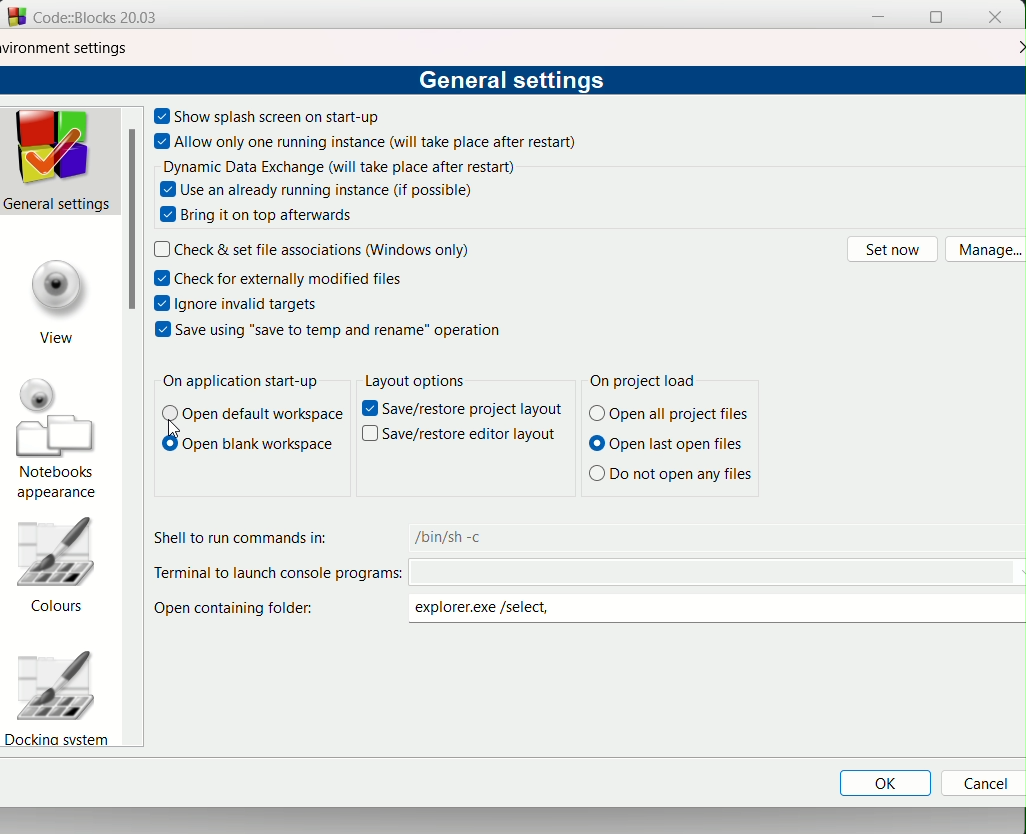  Describe the element at coordinates (475, 410) in the screenshot. I see `` at that location.